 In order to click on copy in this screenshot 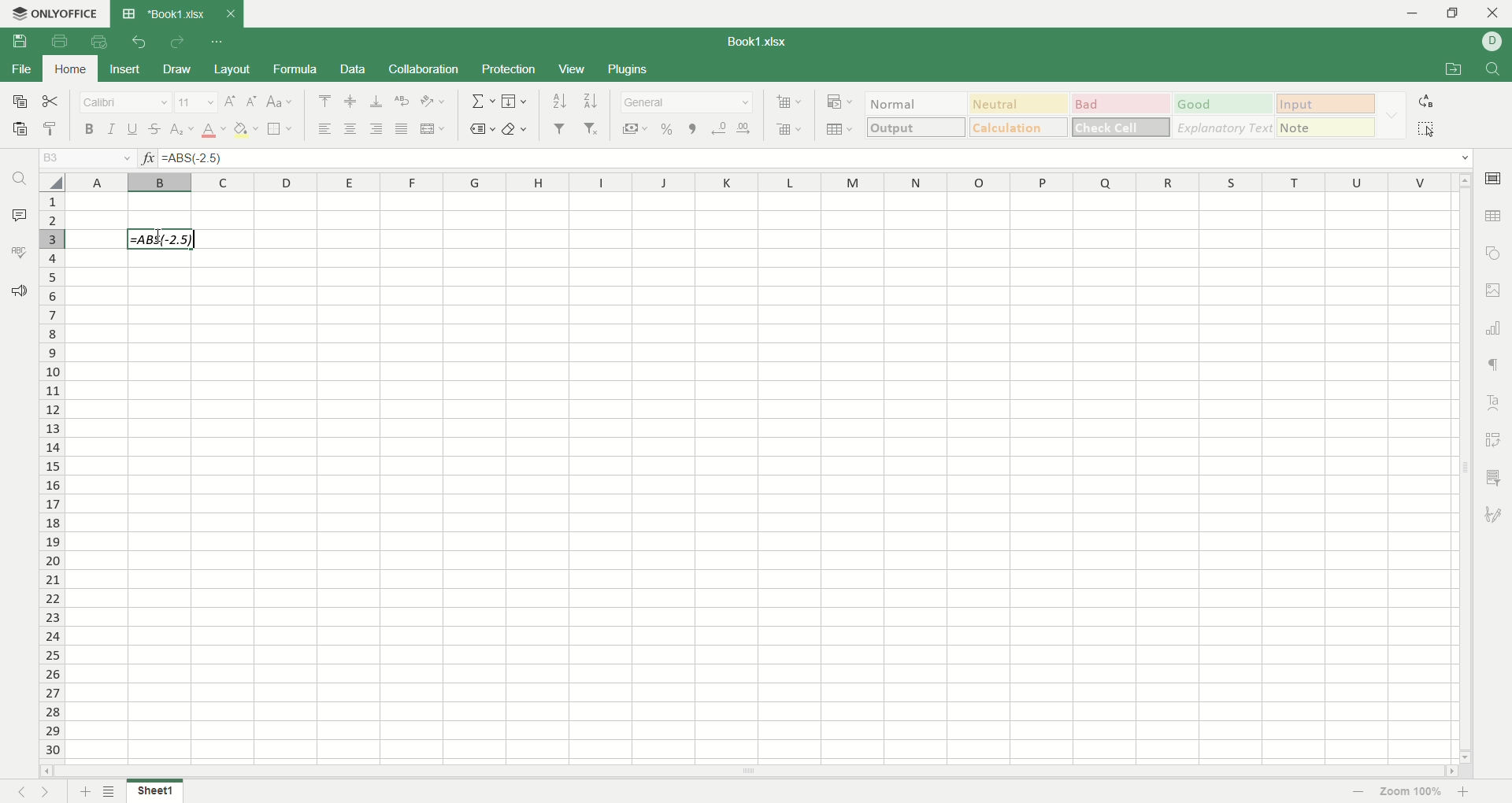, I will do `click(16, 100)`.